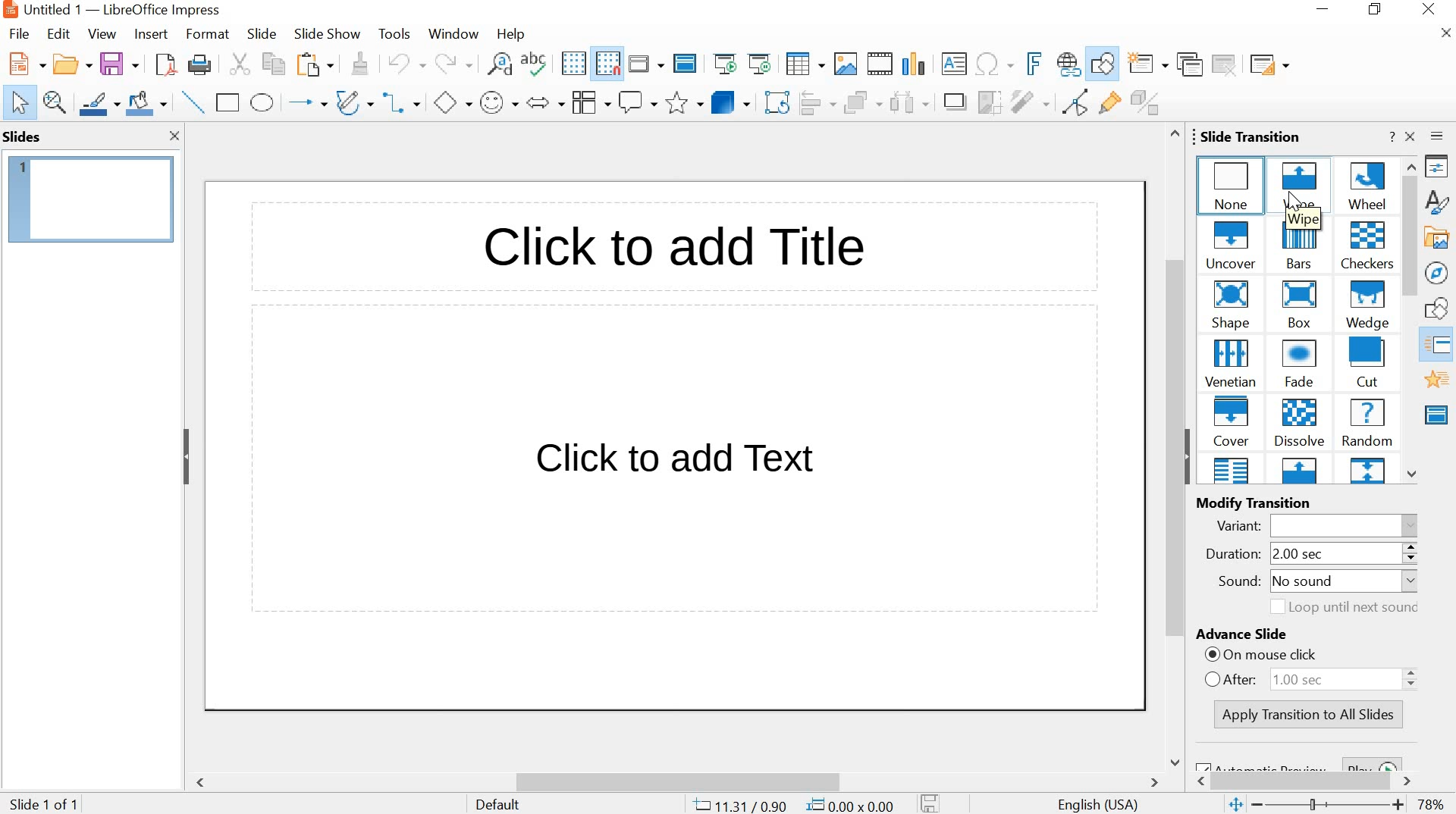 The image size is (1456, 814). What do you see at coordinates (110, 10) in the screenshot?
I see `Untitled 1 - LibreOffice Impress` at bounding box center [110, 10].